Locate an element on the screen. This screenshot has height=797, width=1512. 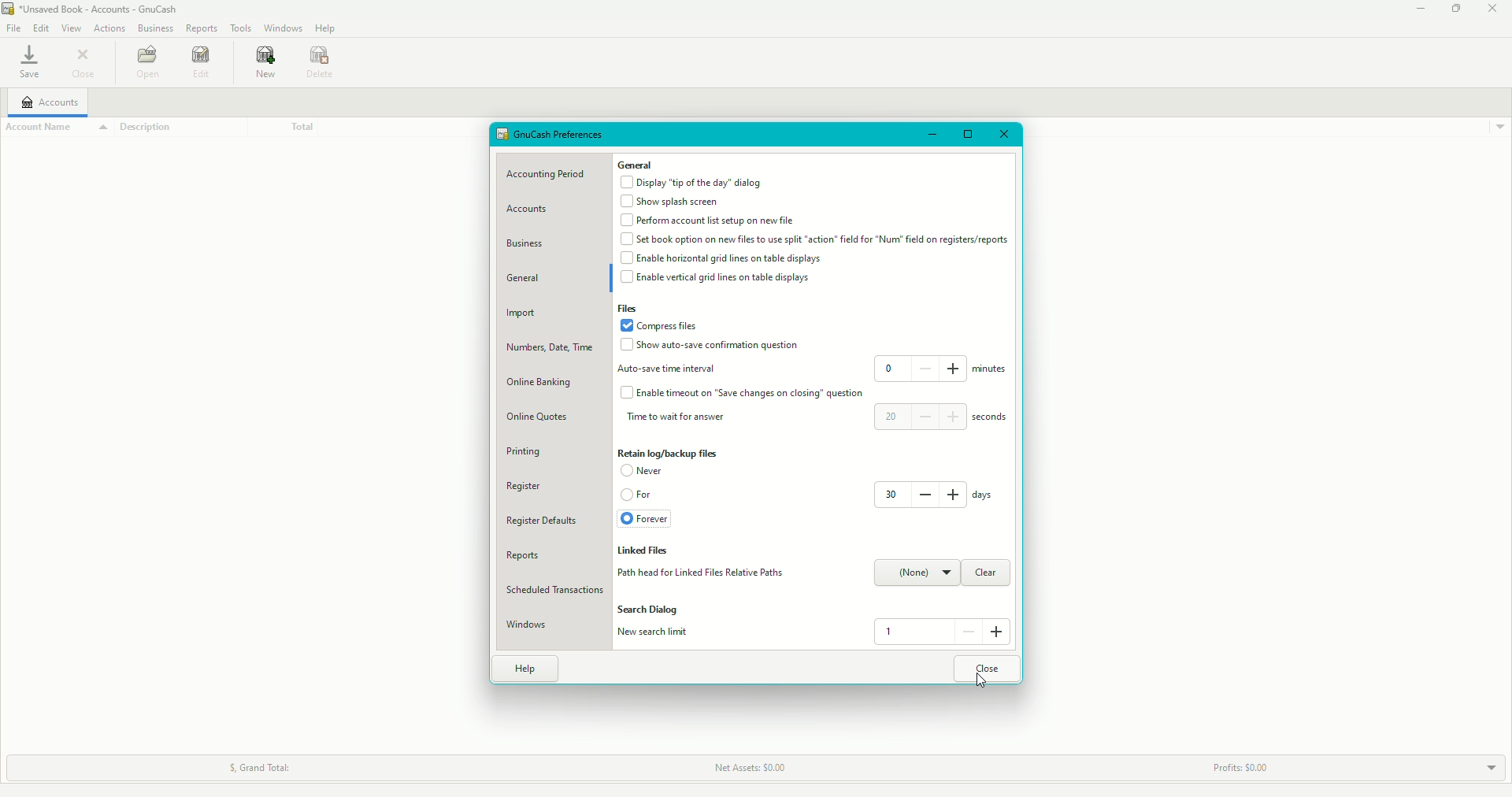
Liked files is located at coordinates (647, 552).